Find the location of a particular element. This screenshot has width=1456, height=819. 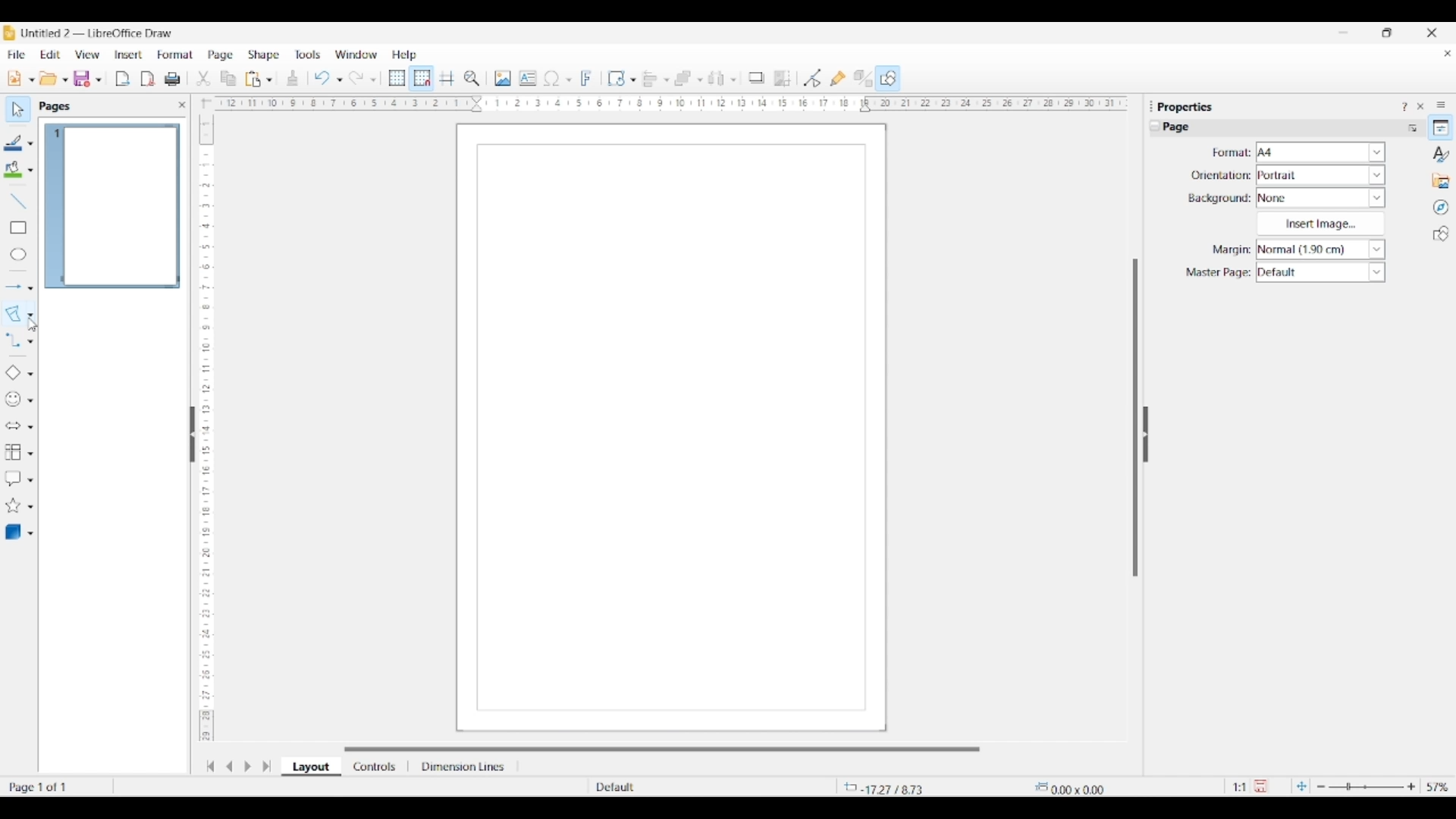

Move to previous slide is located at coordinates (229, 766).